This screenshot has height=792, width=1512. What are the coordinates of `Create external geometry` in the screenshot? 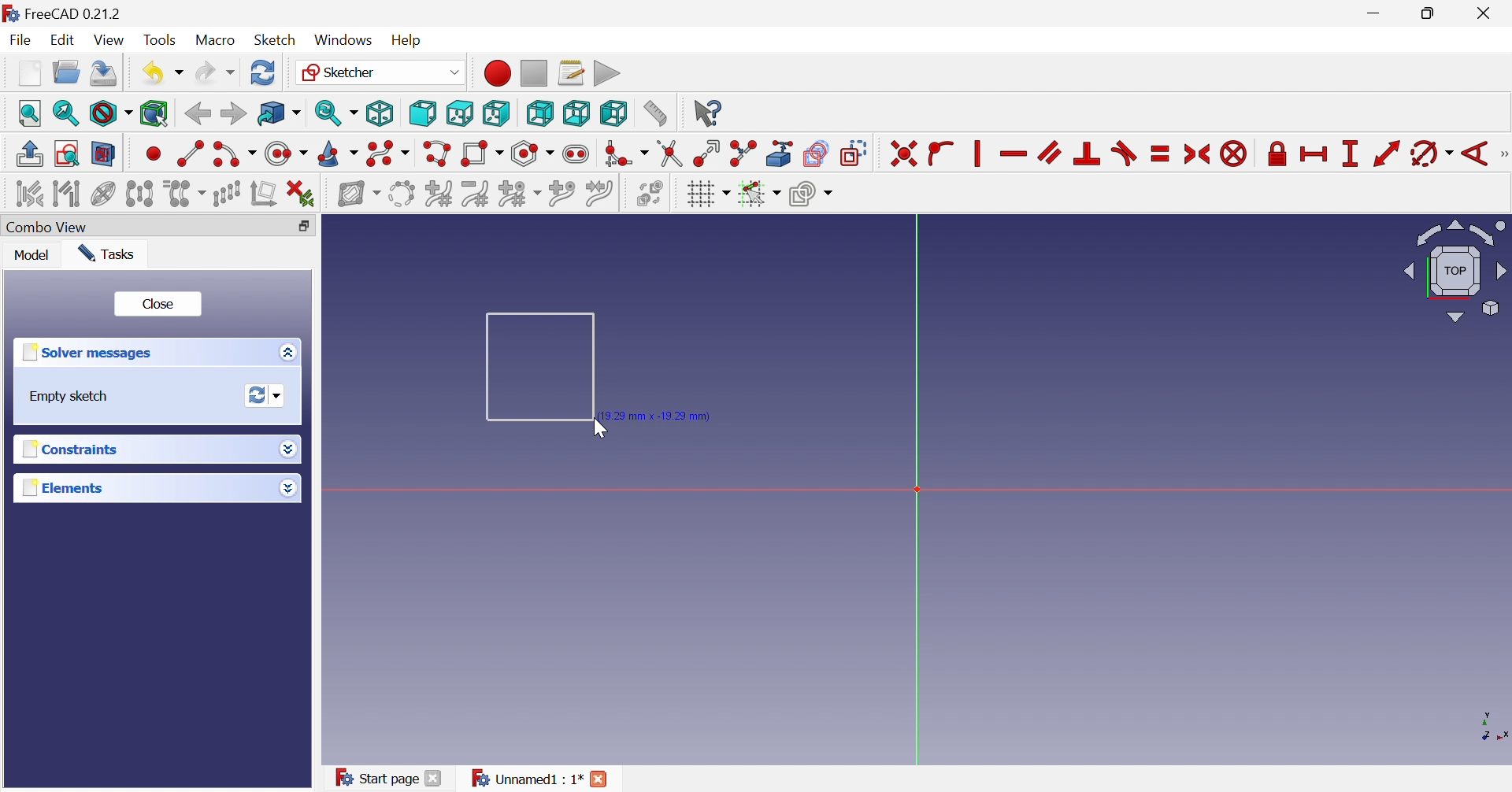 It's located at (781, 153).